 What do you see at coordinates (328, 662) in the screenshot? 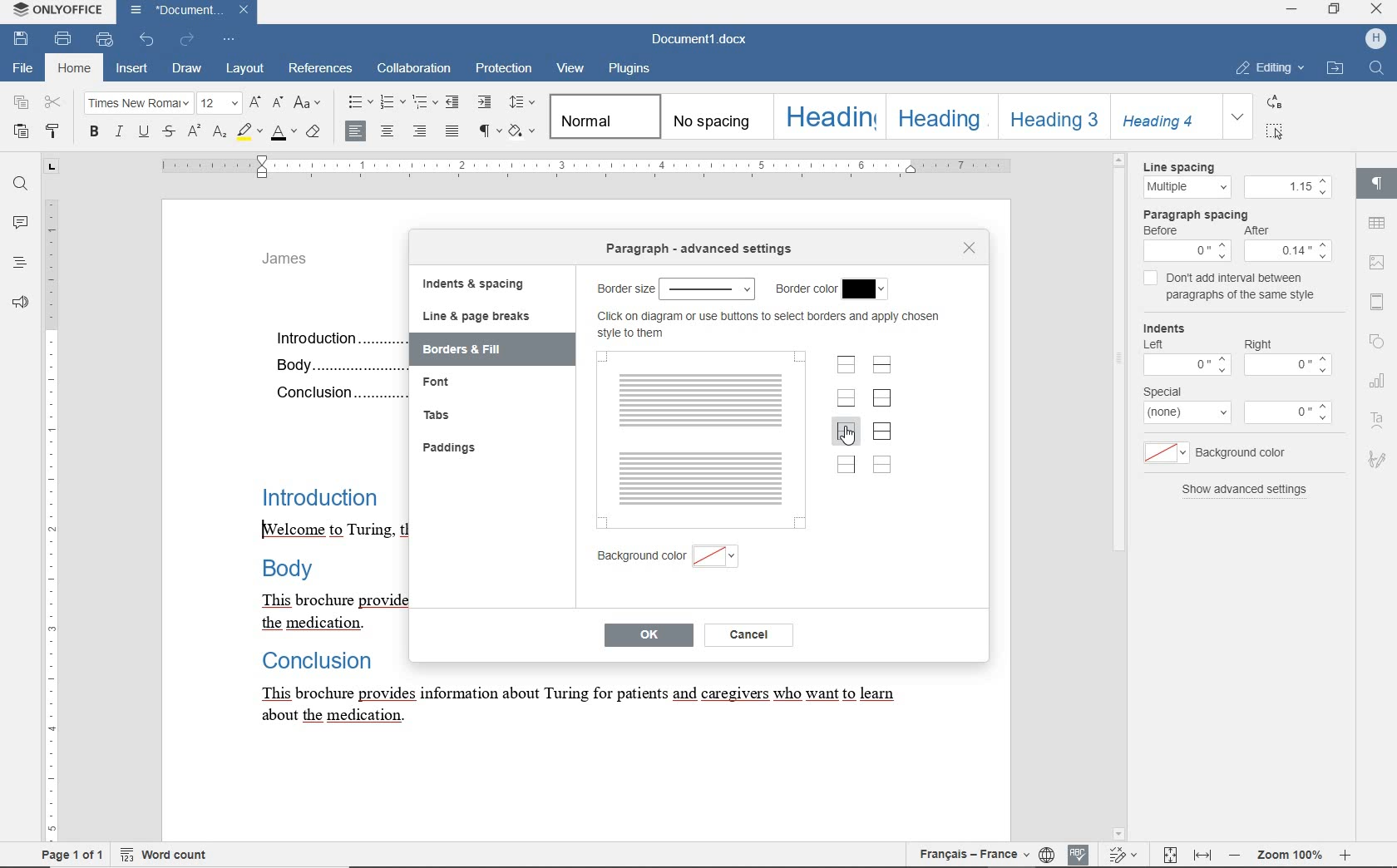
I see `Conclusion` at bounding box center [328, 662].